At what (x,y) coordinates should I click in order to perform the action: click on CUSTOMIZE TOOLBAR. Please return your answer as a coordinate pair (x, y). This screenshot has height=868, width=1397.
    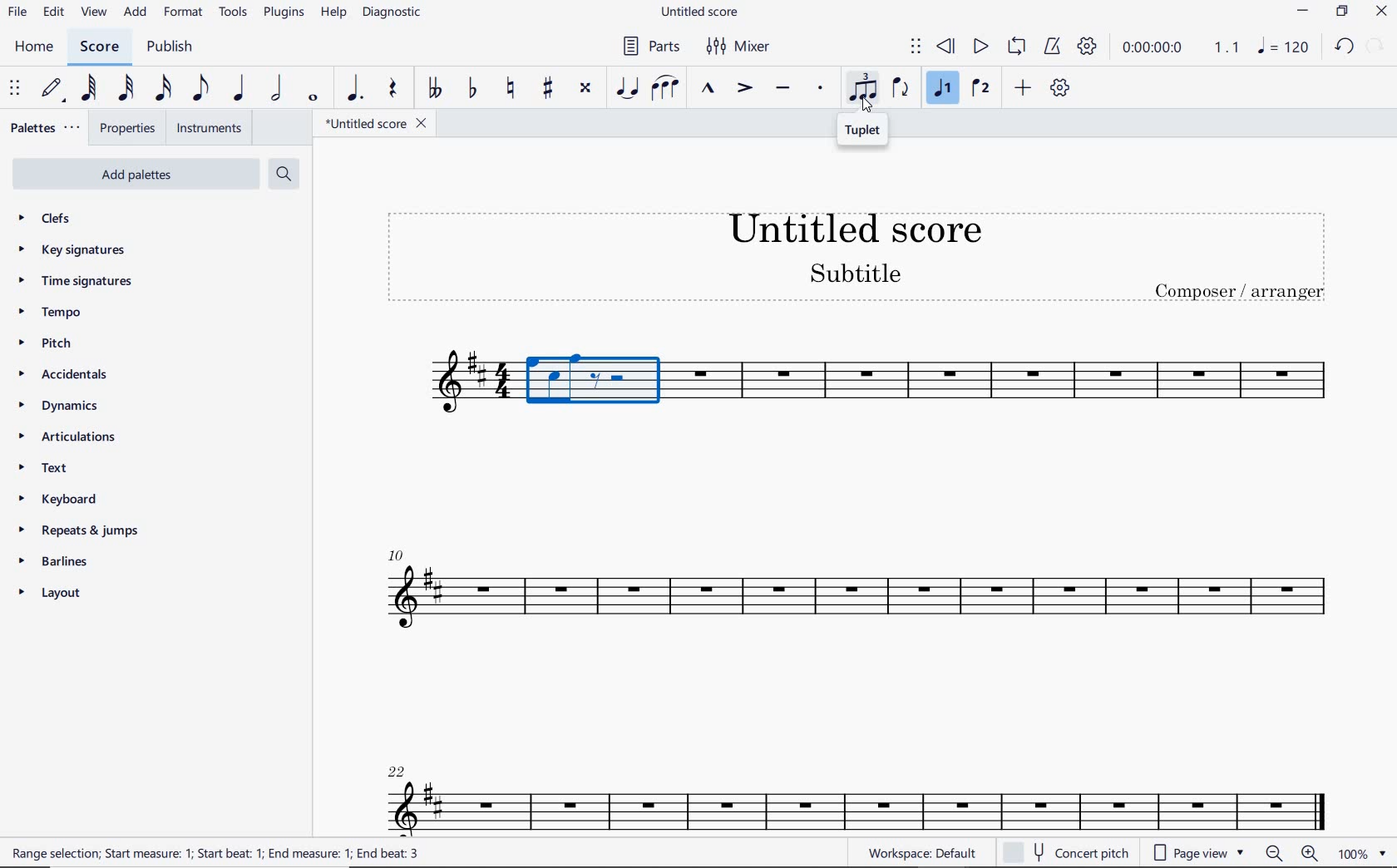
    Looking at the image, I should click on (1062, 89).